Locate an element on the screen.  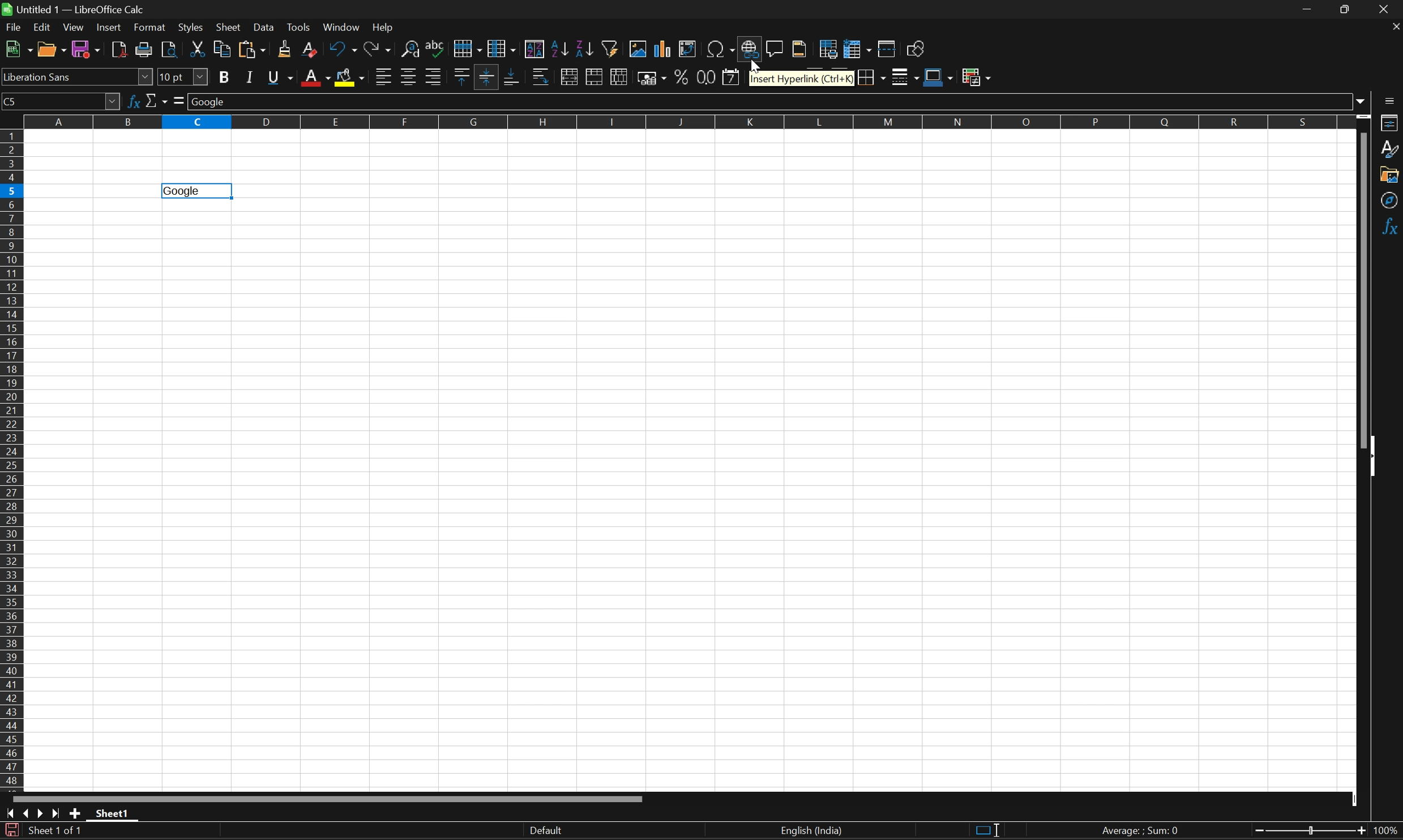
Align top is located at coordinates (463, 74).